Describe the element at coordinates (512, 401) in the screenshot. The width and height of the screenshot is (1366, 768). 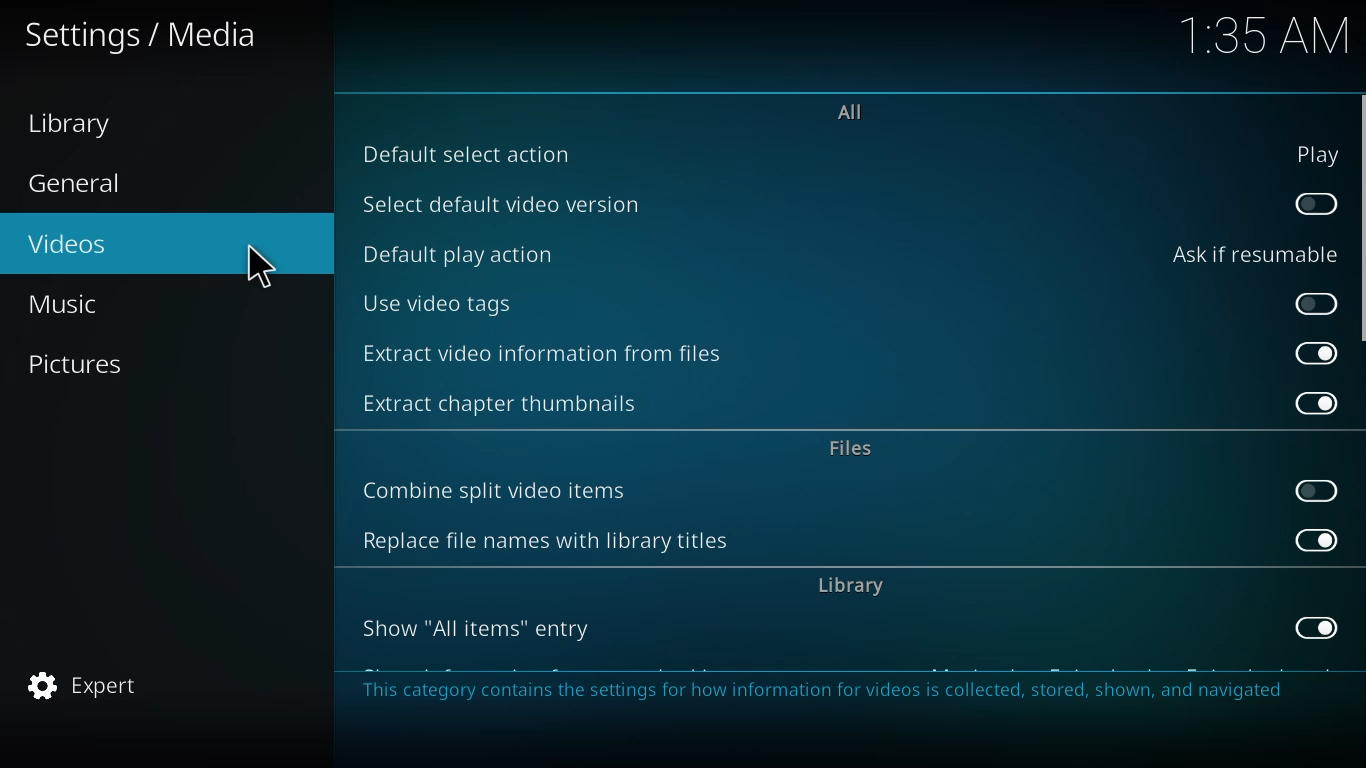
I see `extract chapter thumbnails` at that location.